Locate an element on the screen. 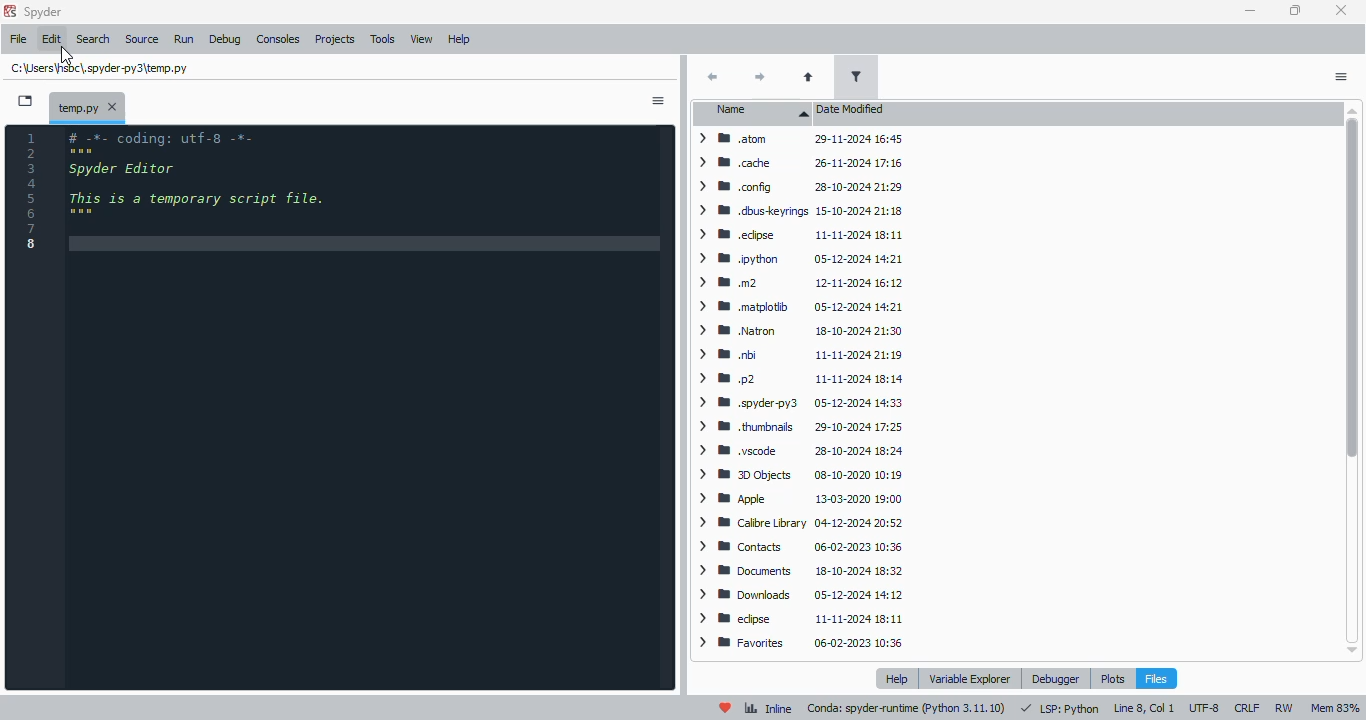 The width and height of the screenshot is (1366, 720). tools is located at coordinates (382, 39).